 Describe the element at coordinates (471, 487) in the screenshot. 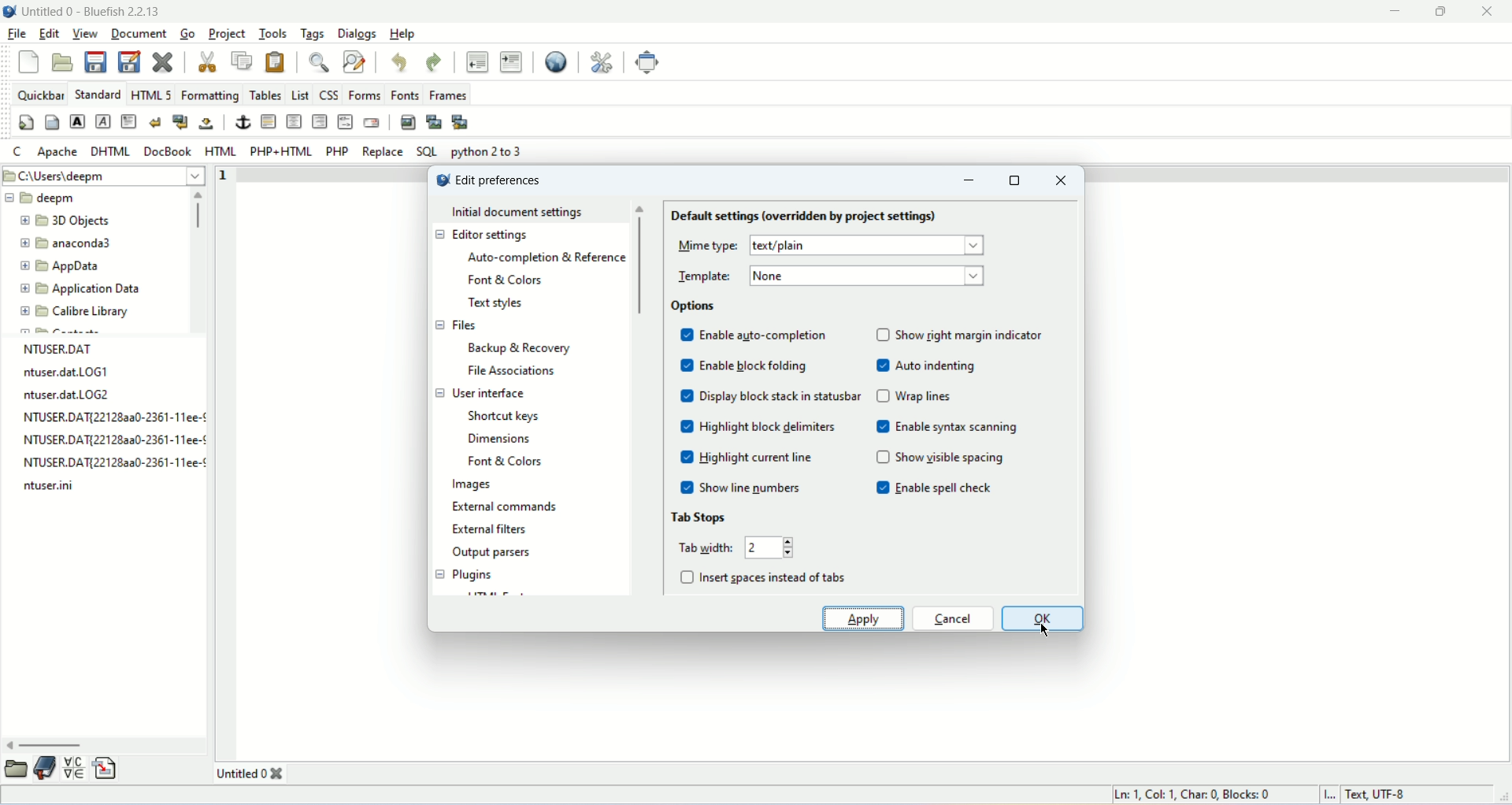

I see `images` at that location.